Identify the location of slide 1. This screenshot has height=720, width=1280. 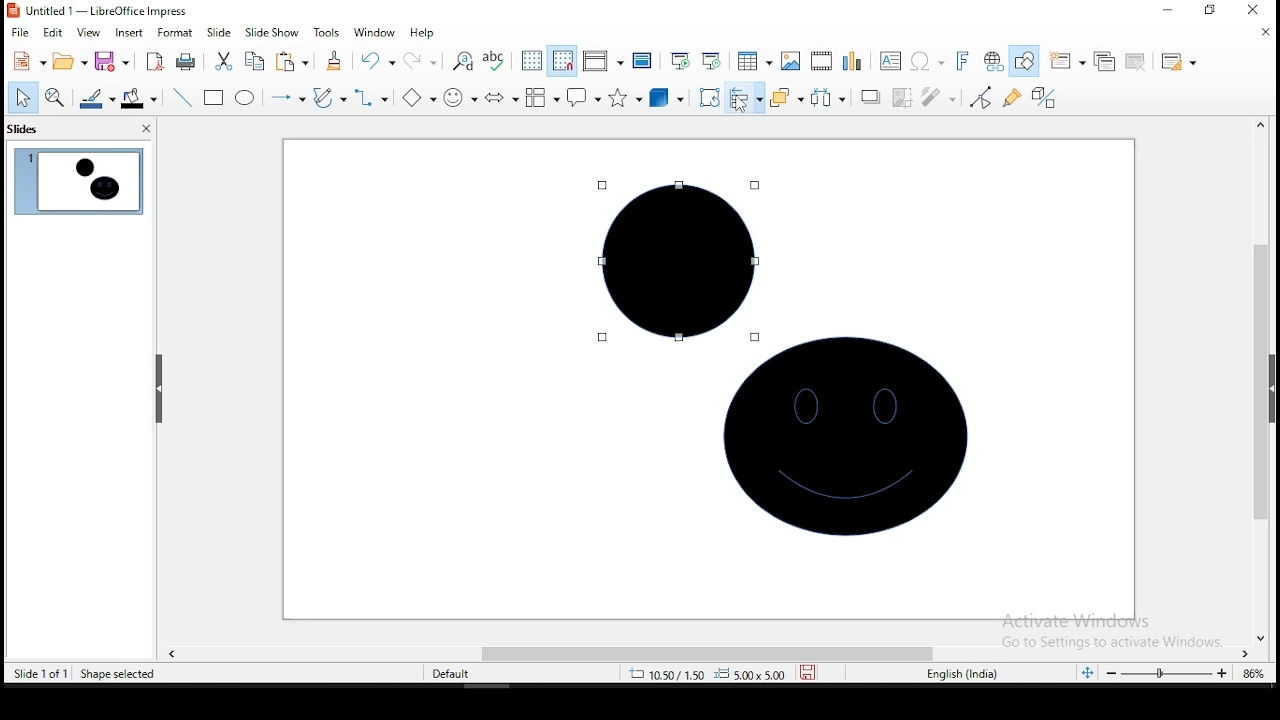
(77, 182).